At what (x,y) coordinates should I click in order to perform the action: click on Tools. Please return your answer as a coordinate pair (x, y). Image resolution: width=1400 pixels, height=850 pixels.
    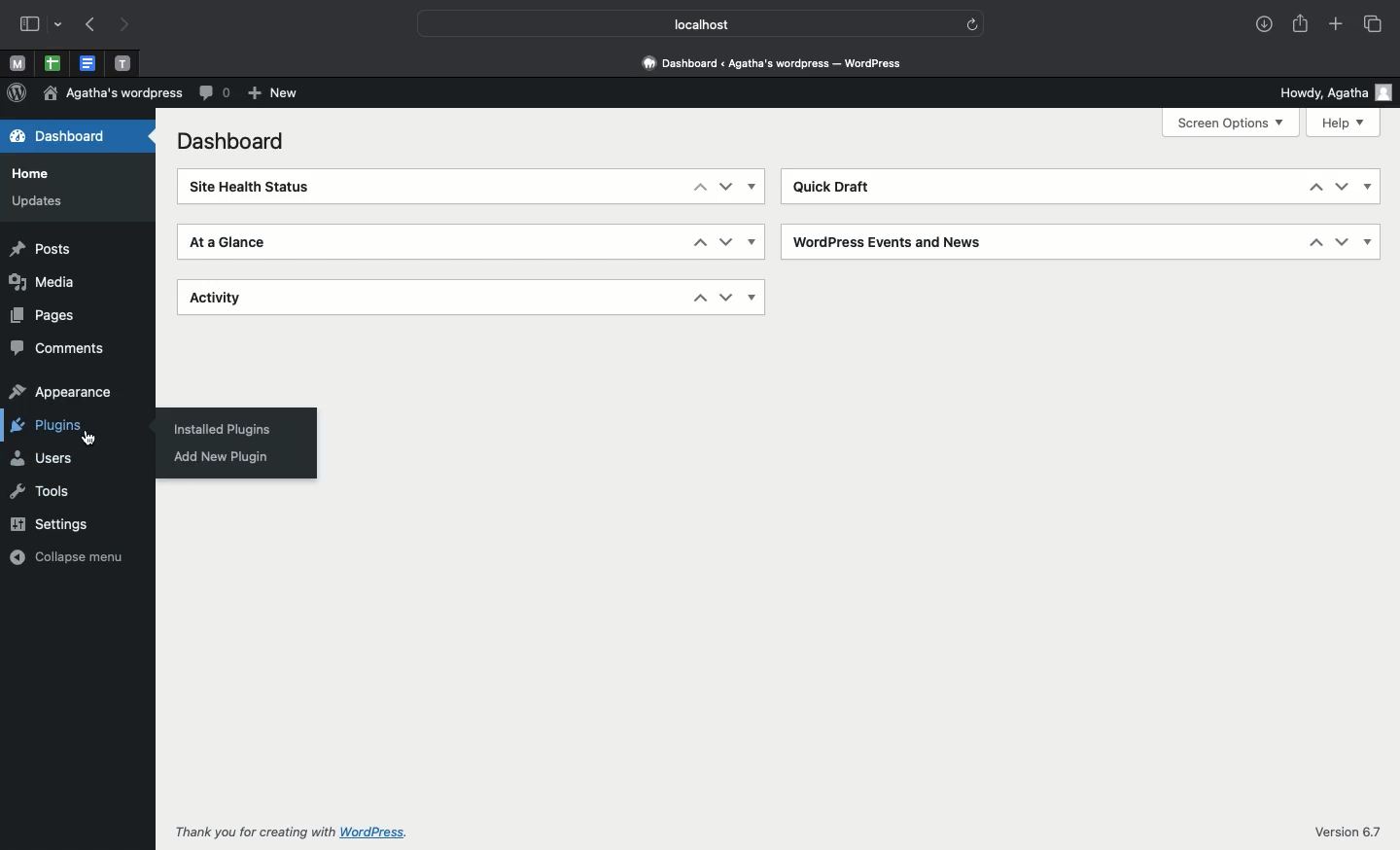
    Looking at the image, I should click on (49, 492).